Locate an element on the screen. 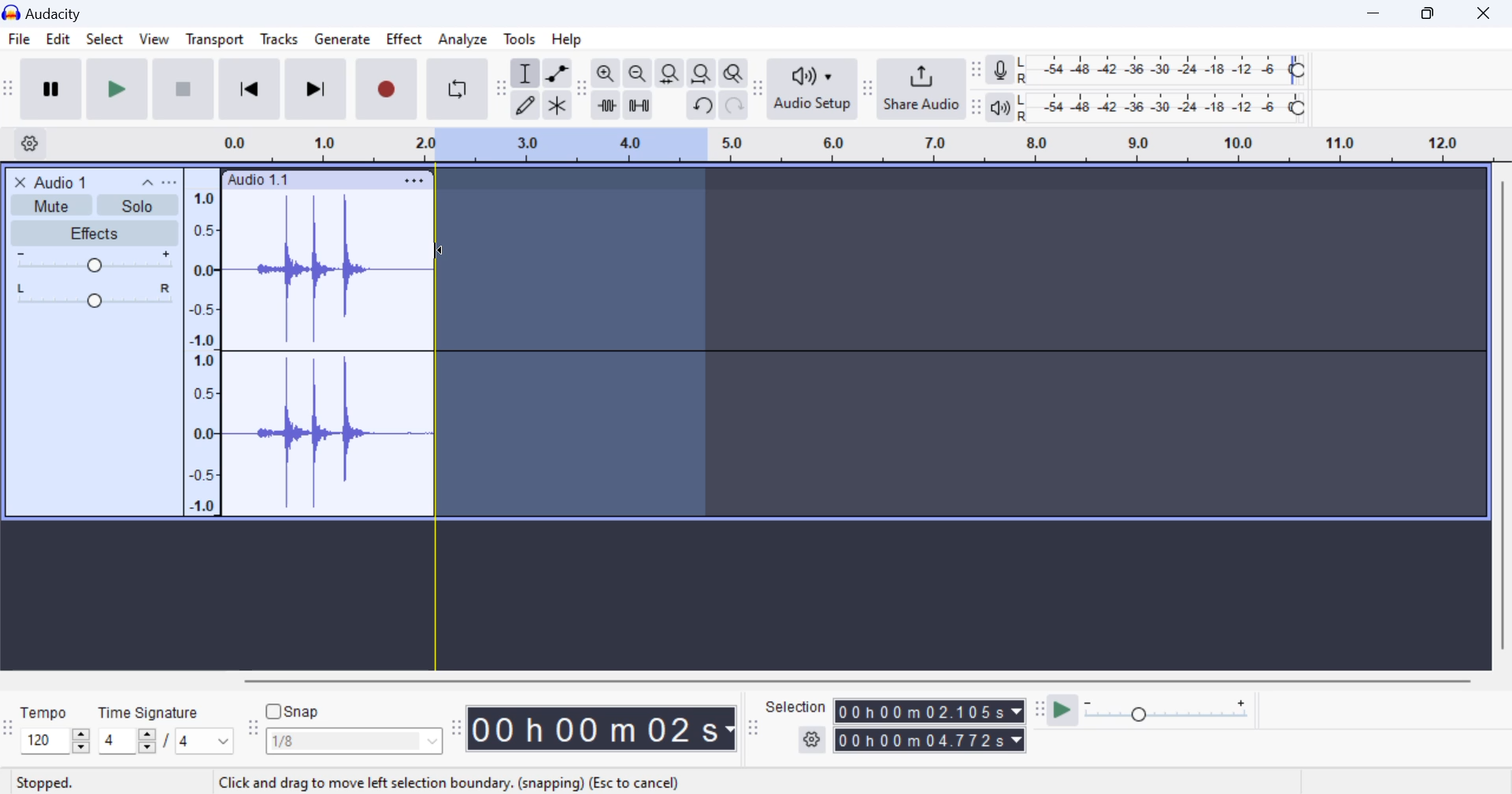 The height and width of the screenshot is (794, 1512). Clip Status is located at coordinates (46, 784).